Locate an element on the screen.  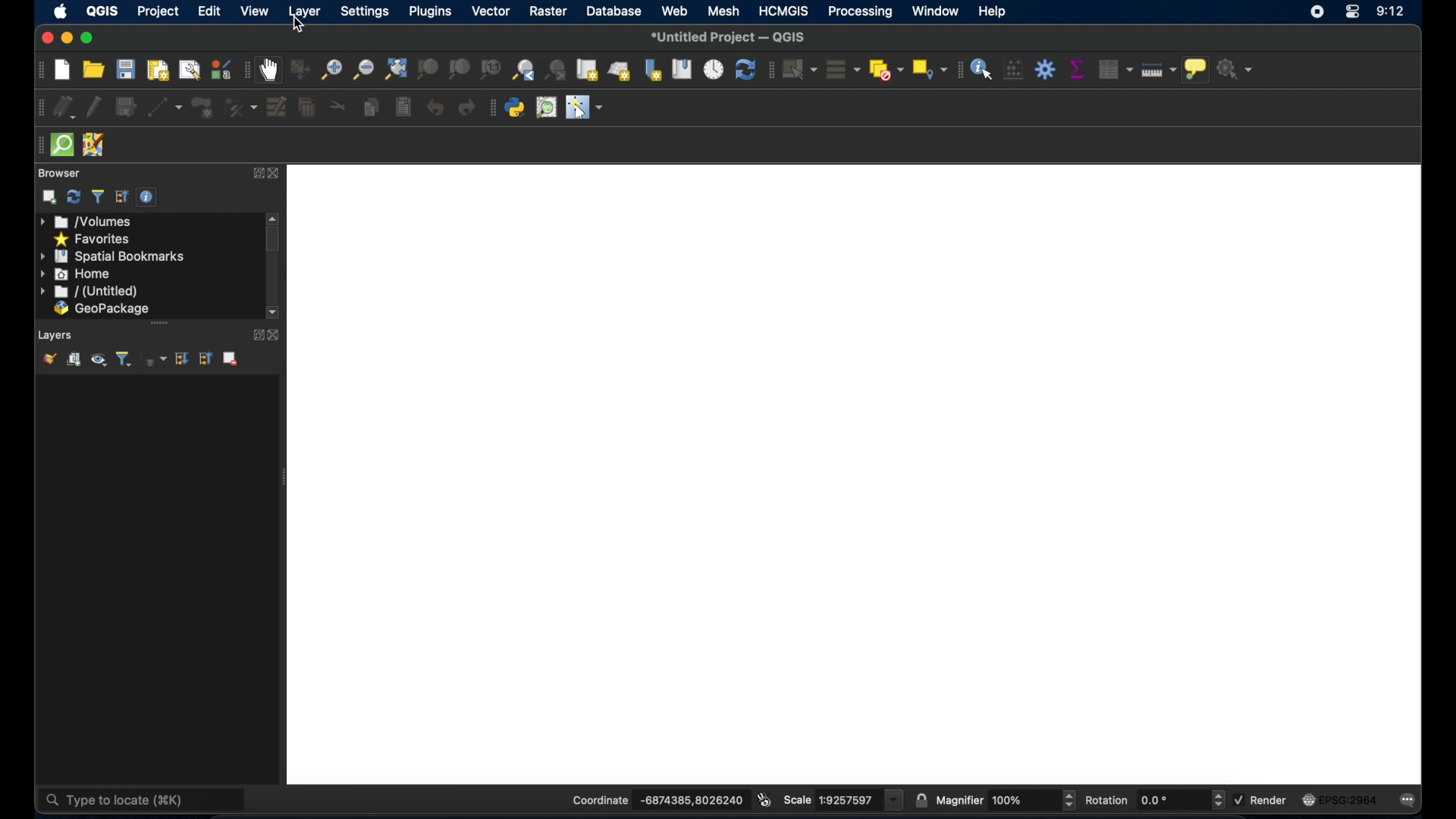
measure line is located at coordinates (1159, 71).